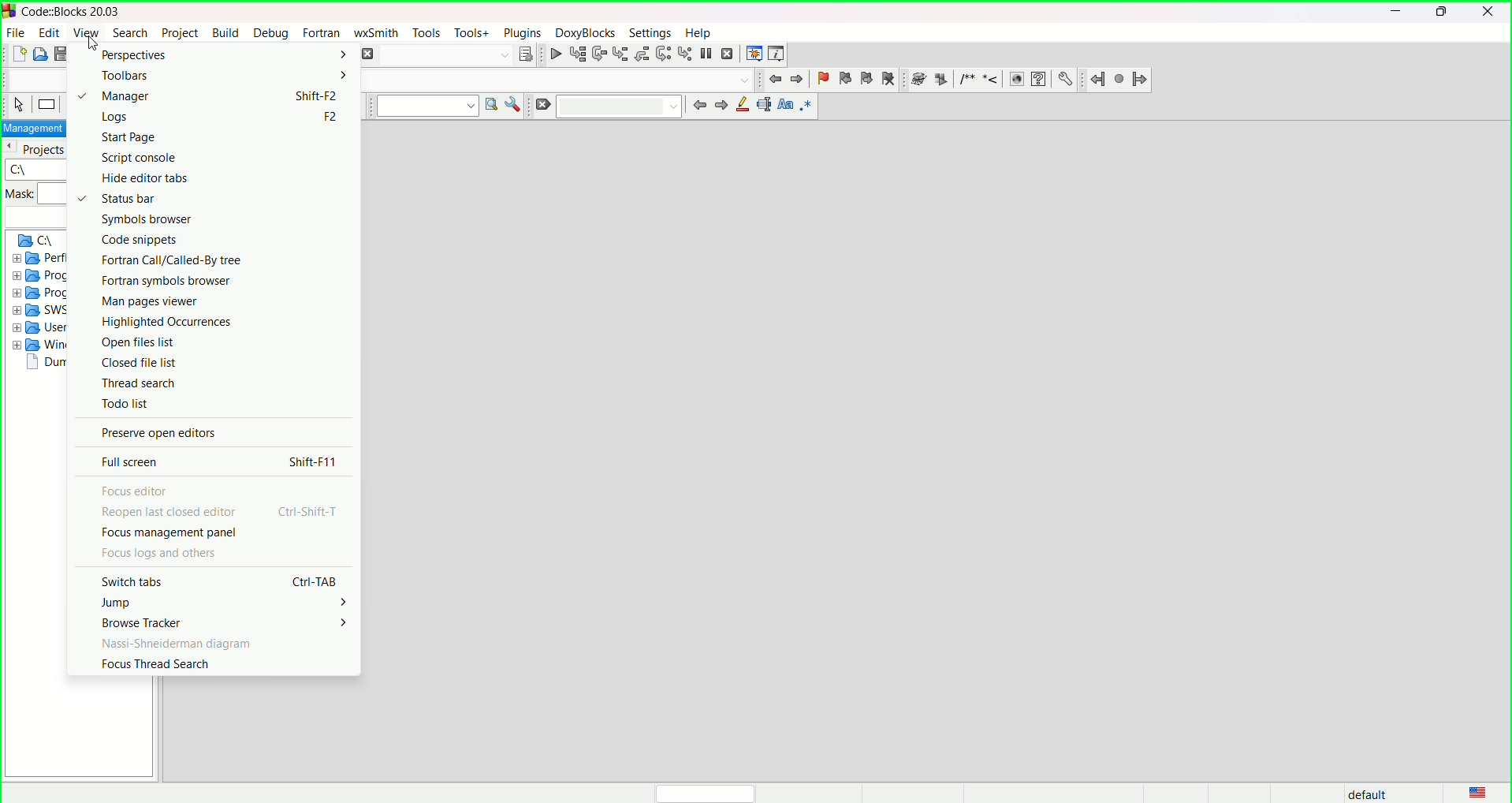  What do you see at coordinates (47, 32) in the screenshot?
I see `edit` at bounding box center [47, 32].